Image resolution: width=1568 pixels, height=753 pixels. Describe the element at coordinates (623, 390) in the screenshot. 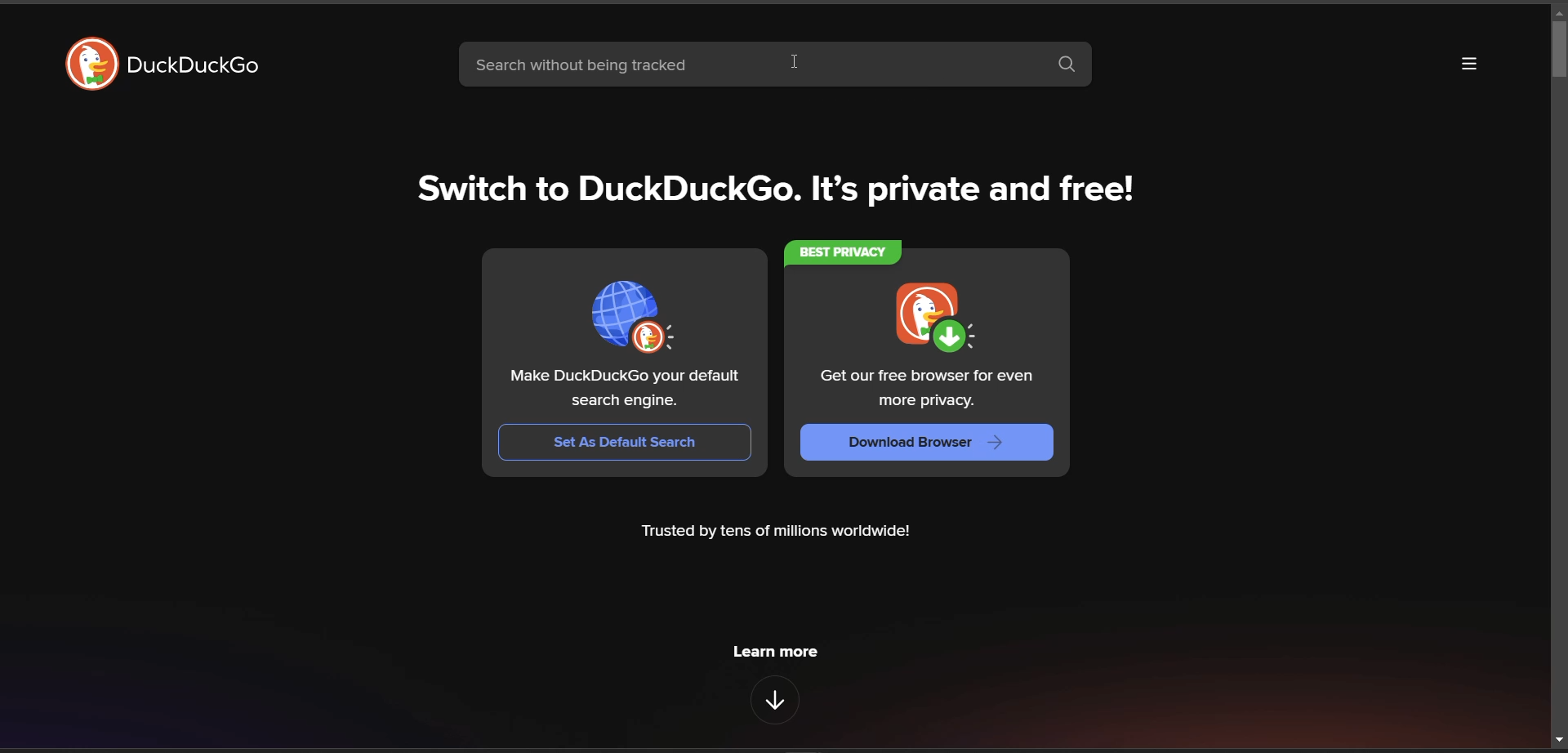

I see `text` at that location.